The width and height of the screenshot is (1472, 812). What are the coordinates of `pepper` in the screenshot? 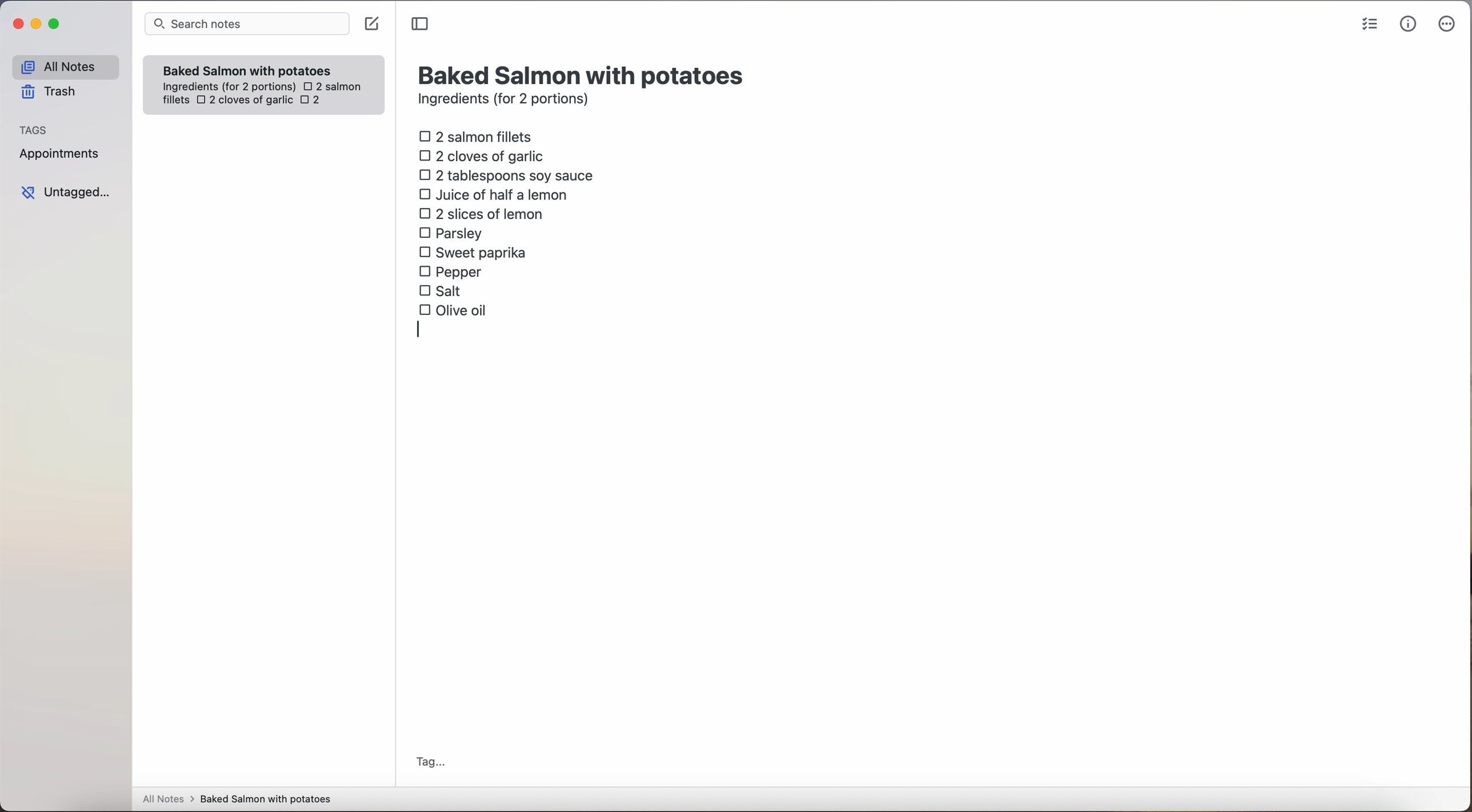 It's located at (453, 271).